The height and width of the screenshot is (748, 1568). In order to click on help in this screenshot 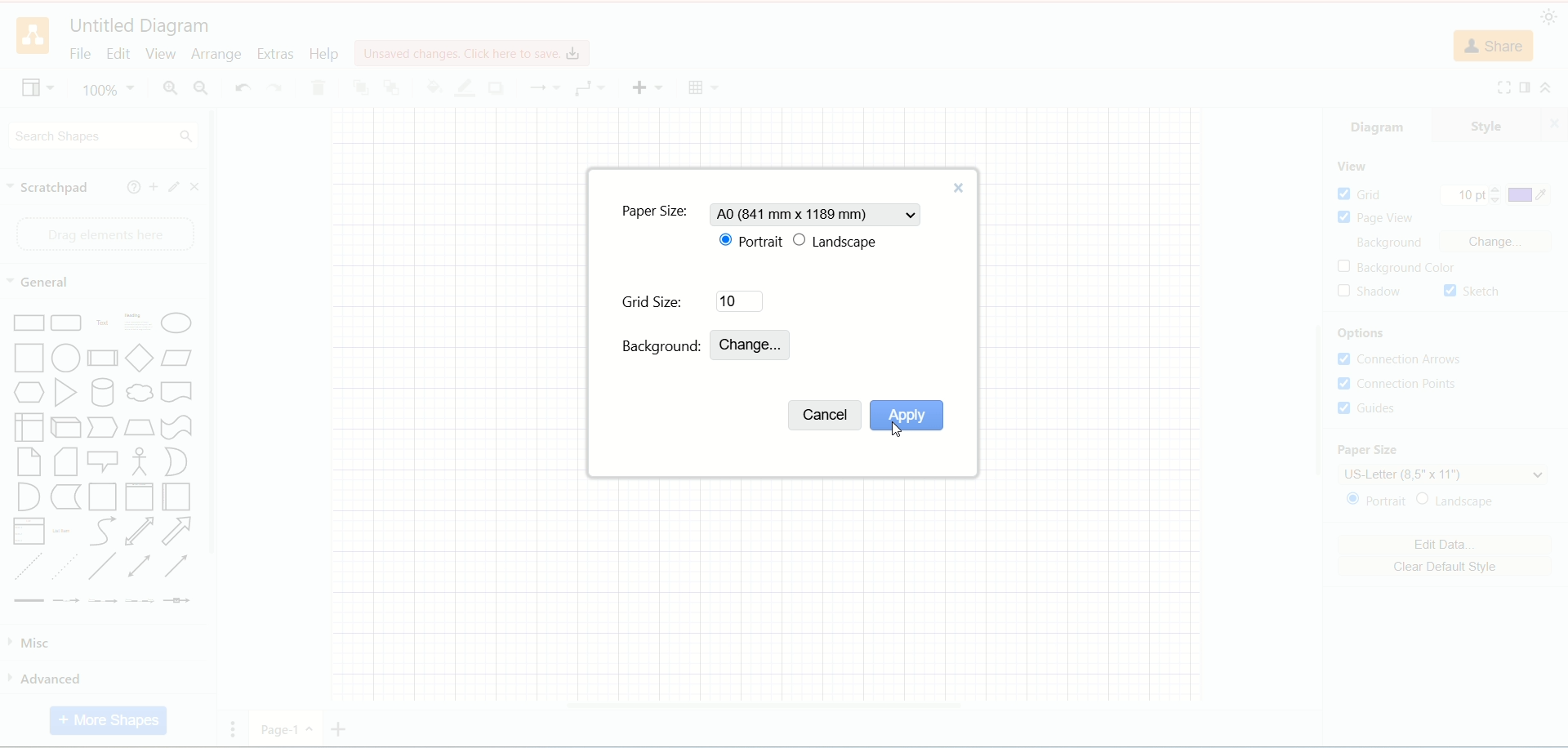, I will do `click(129, 187)`.